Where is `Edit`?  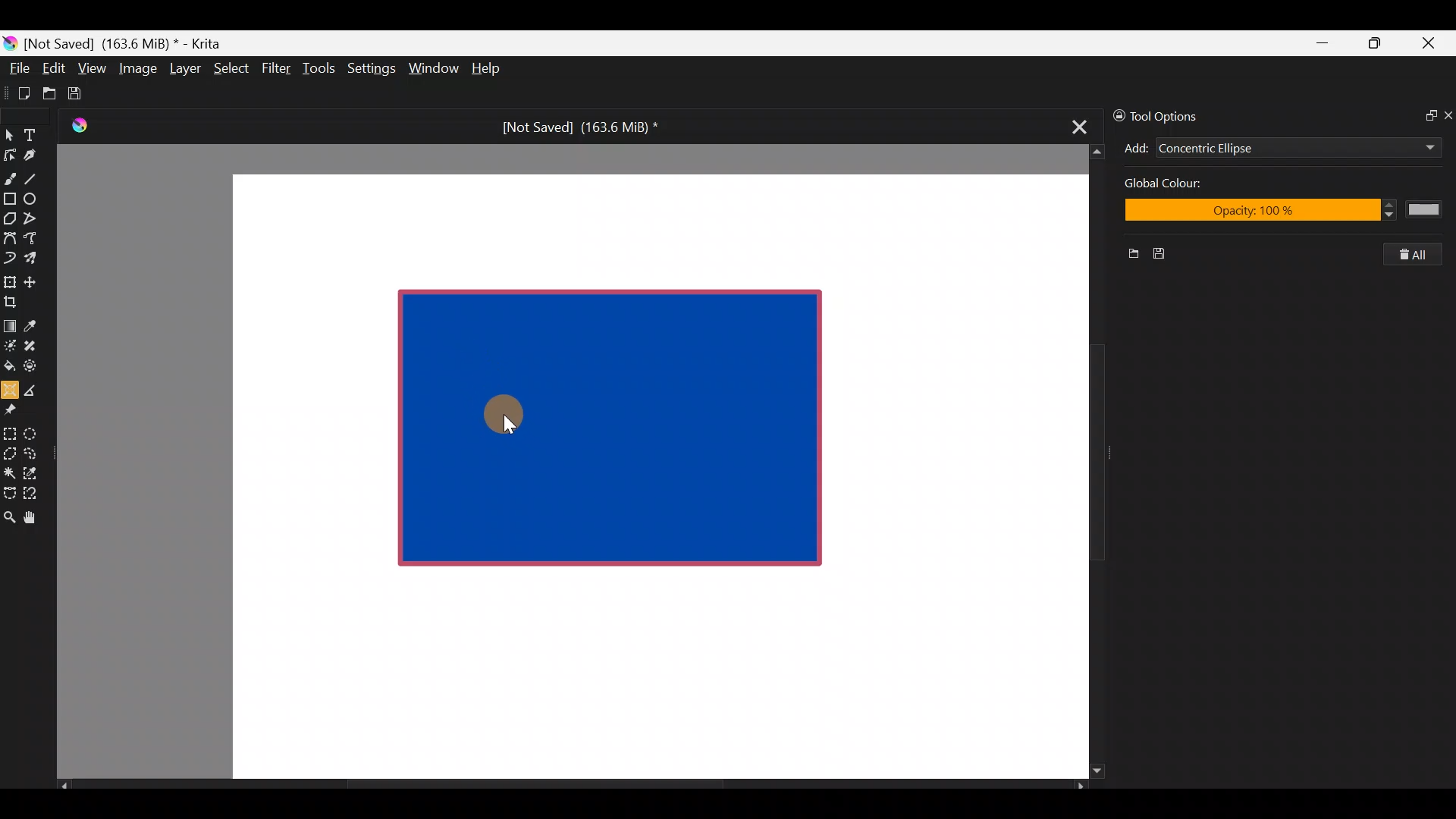
Edit is located at coordinates (53, 71).